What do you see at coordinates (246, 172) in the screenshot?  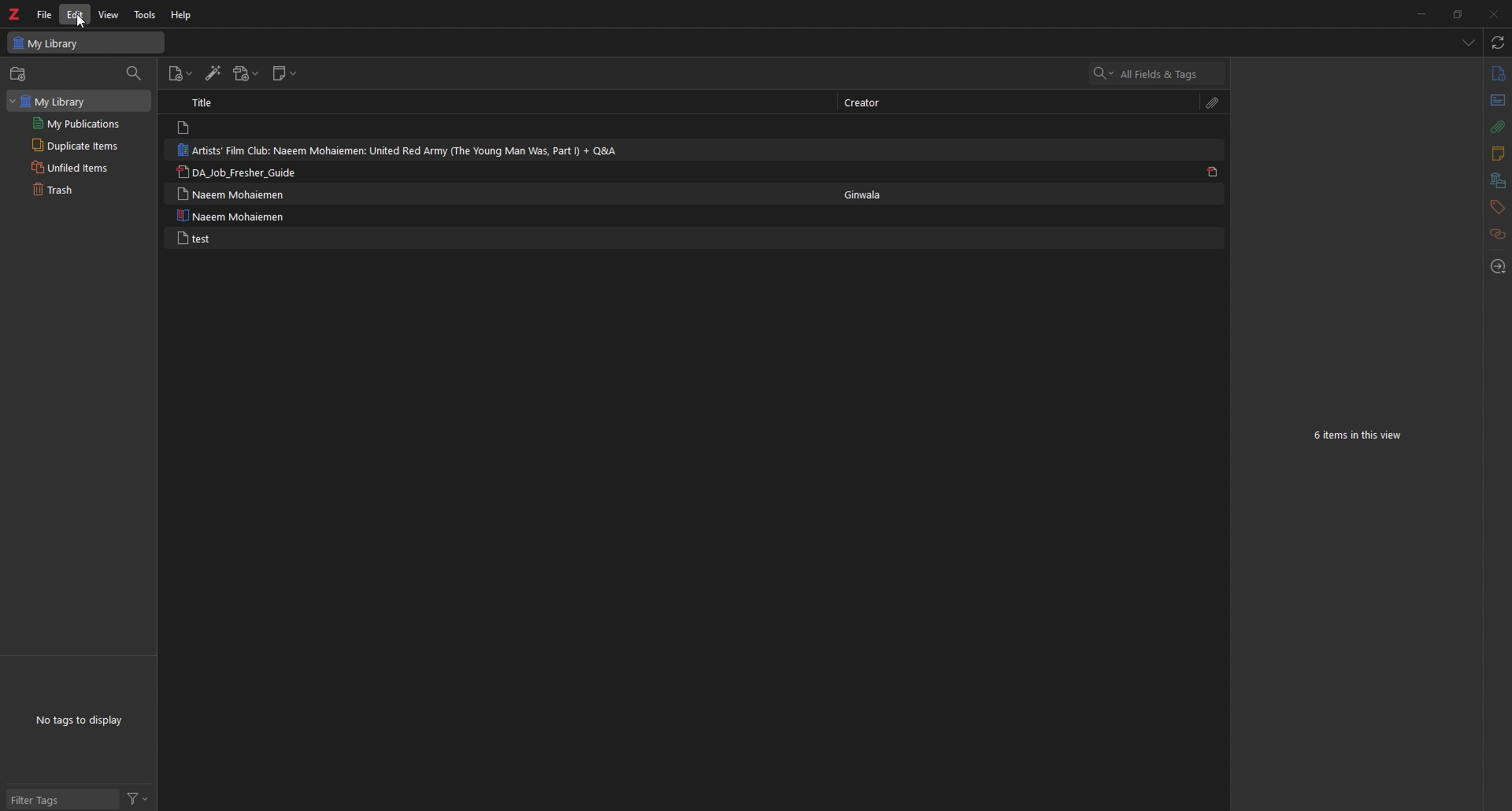 I see `DA_Job,_Fresher_Guide` at bounding box center [246, 172].